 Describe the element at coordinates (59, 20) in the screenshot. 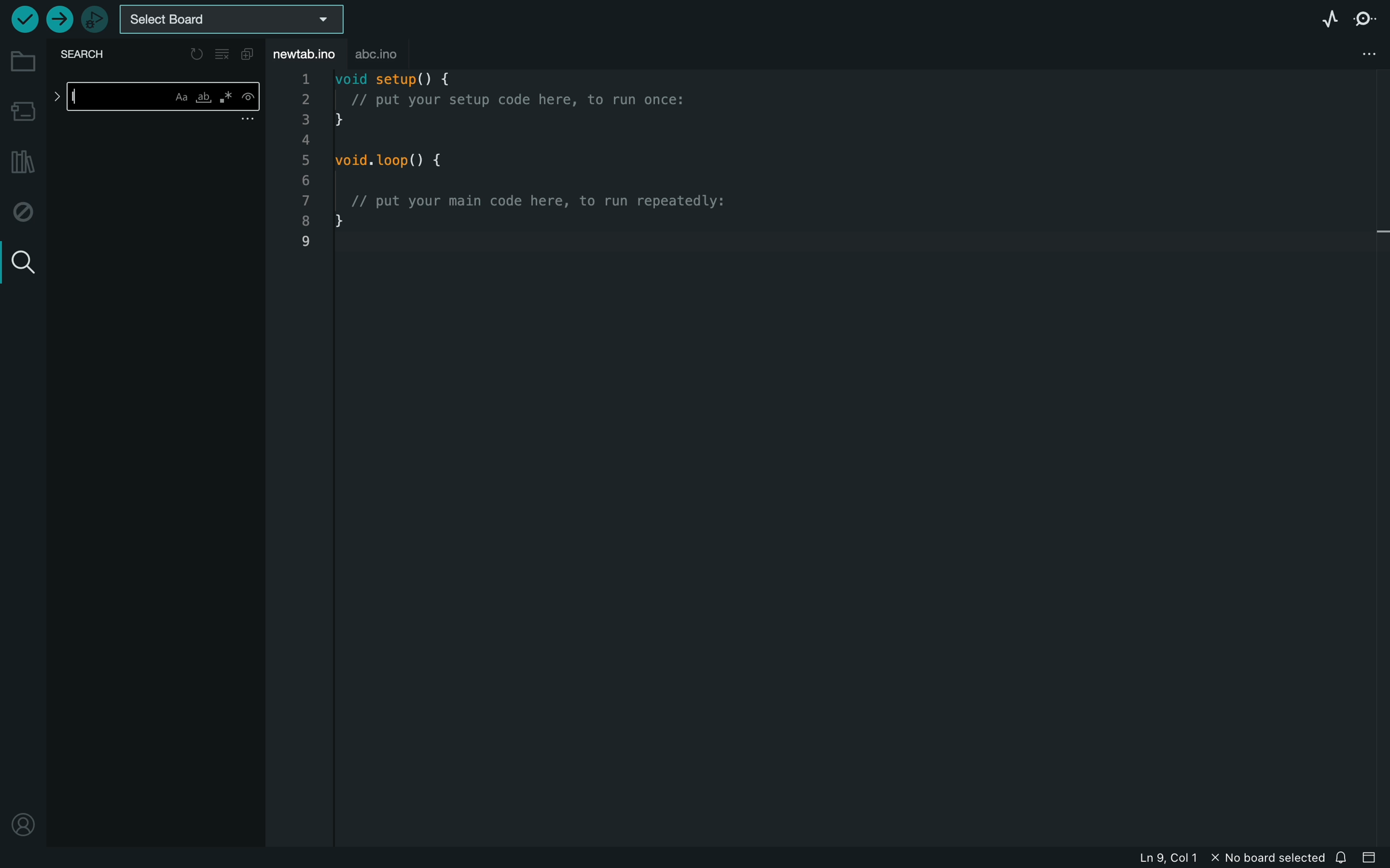

I see `upload` at that location.